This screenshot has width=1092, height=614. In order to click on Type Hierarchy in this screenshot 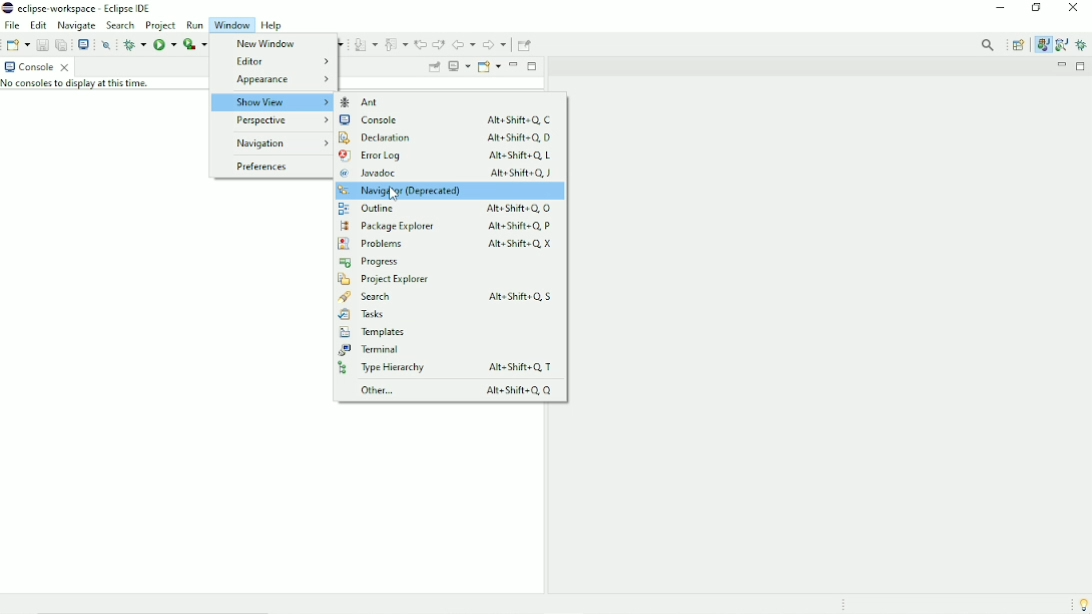, I will do `click(450, 368)`.